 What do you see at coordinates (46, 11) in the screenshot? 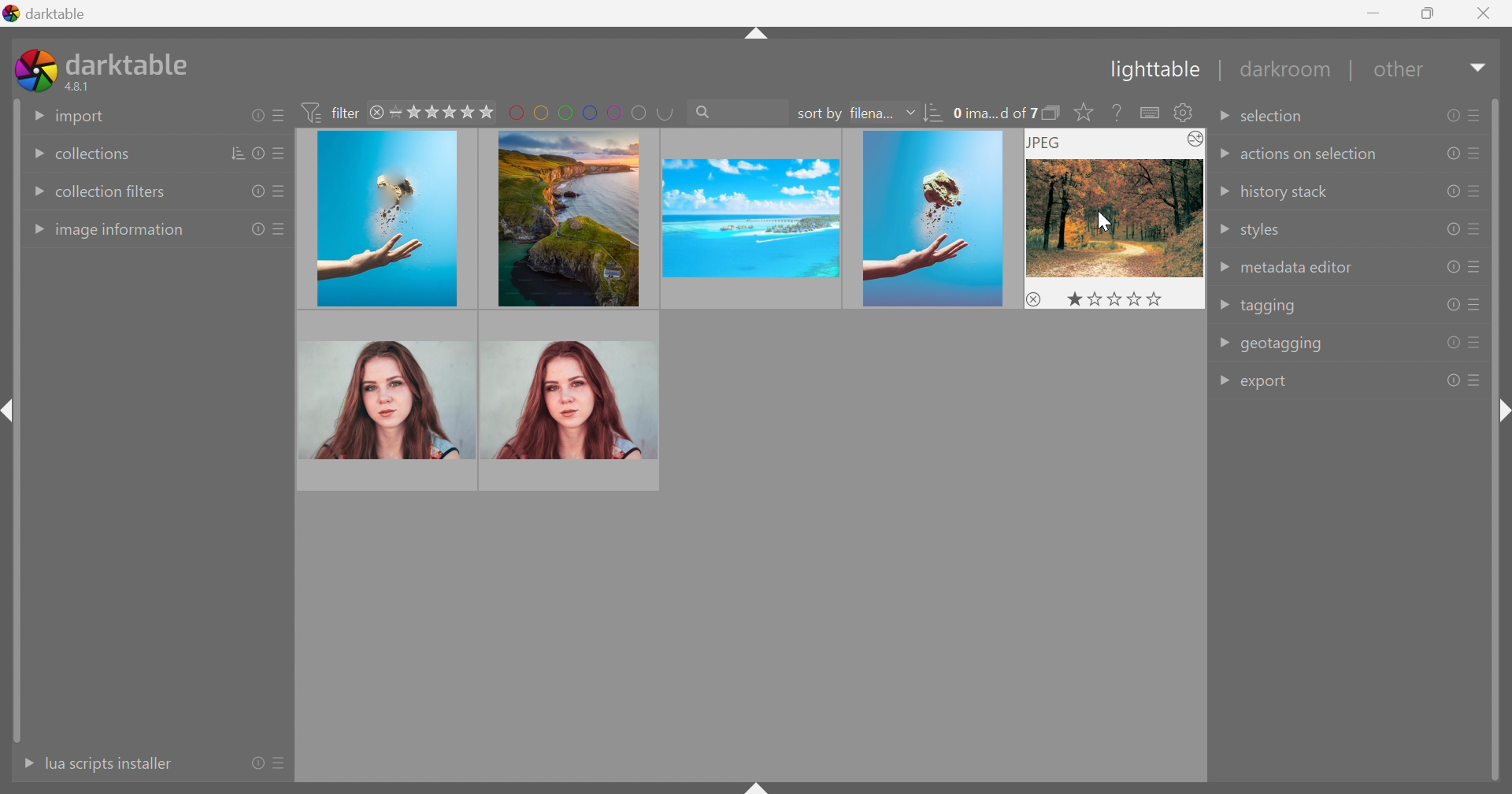
I see `darktable` at bounding box center [46, 11].